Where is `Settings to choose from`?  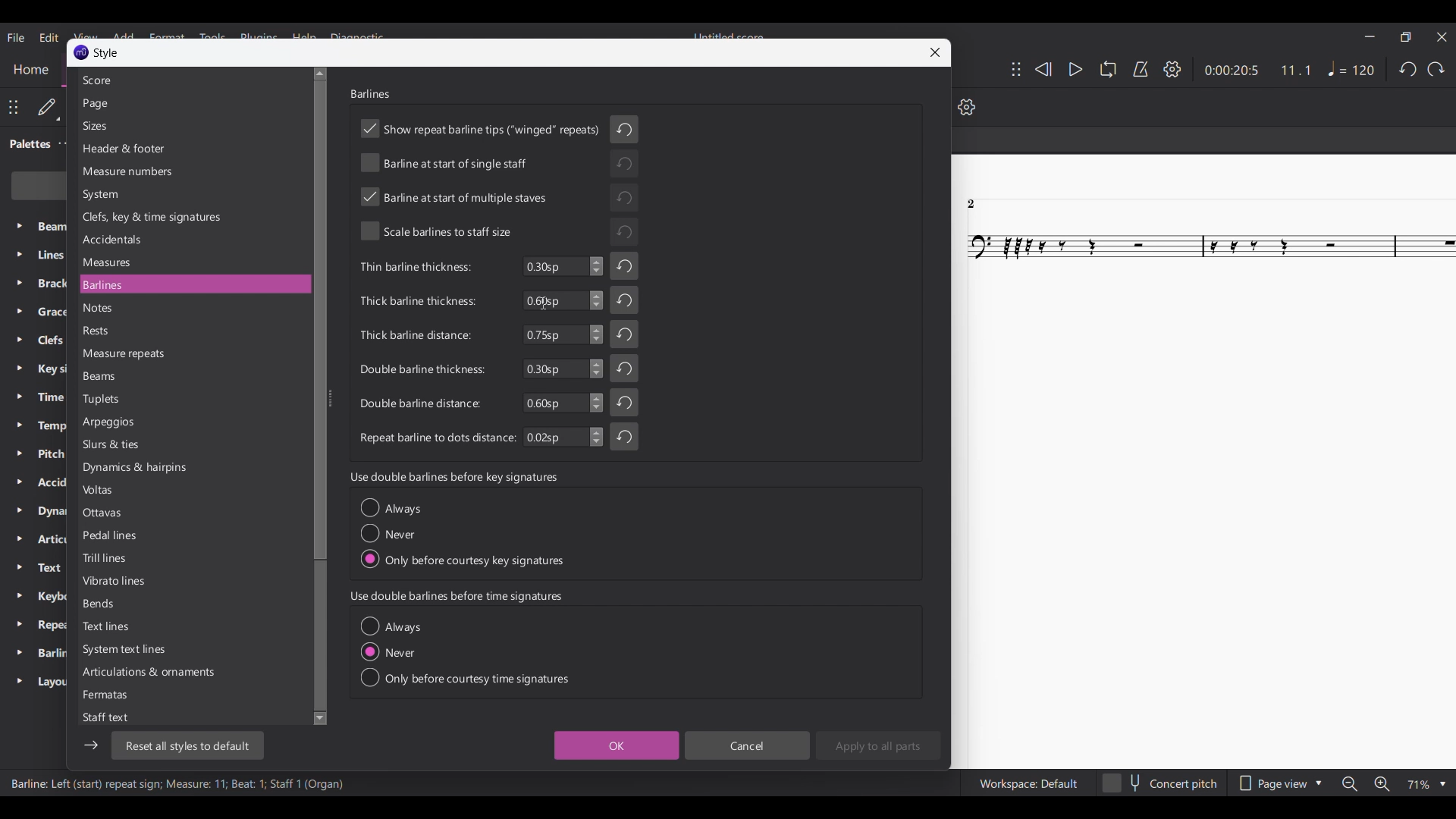
Settings to choose from is located at coordinates (149, 399).